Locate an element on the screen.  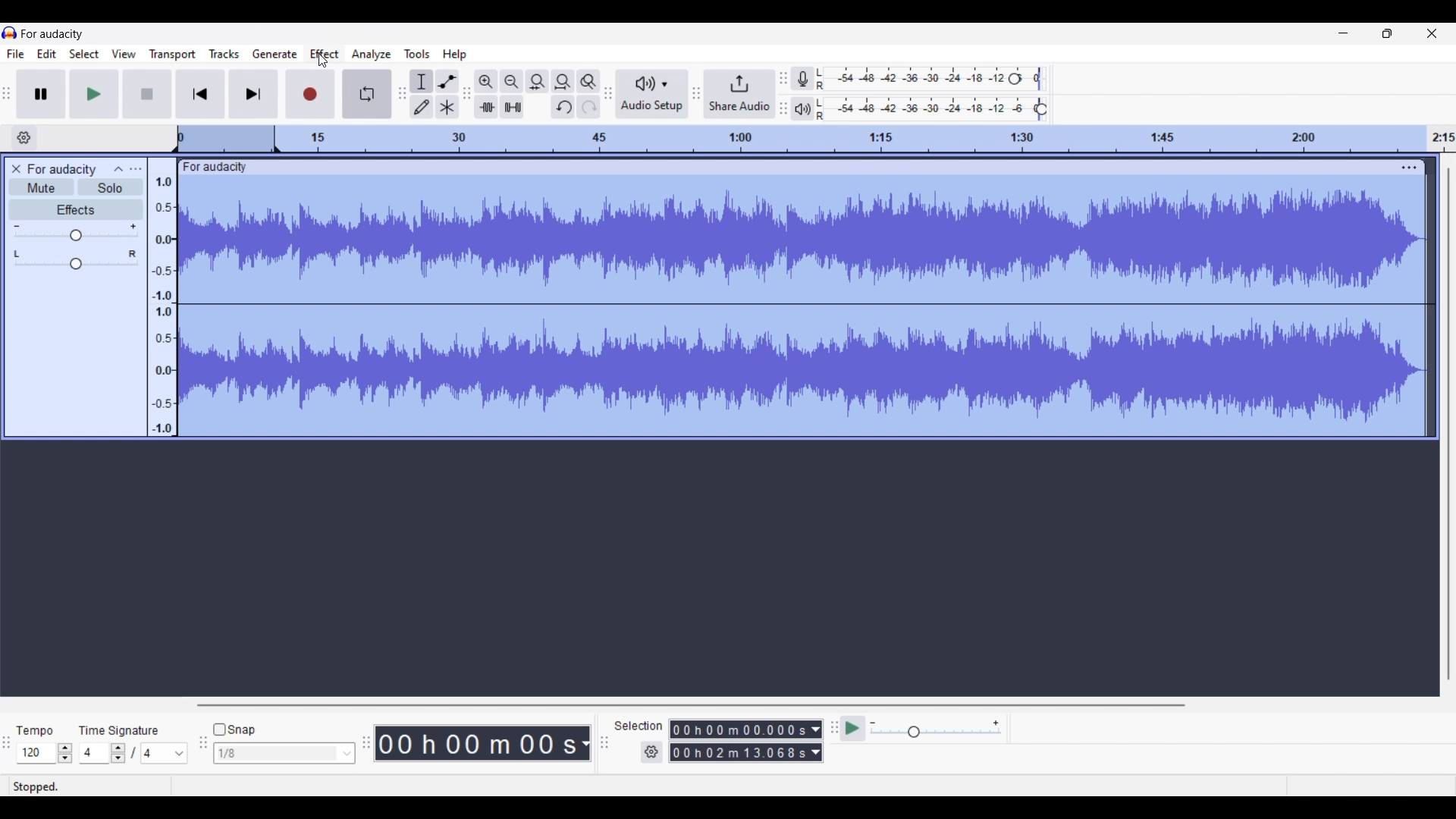
Pause is located at coordinates (41, 93).